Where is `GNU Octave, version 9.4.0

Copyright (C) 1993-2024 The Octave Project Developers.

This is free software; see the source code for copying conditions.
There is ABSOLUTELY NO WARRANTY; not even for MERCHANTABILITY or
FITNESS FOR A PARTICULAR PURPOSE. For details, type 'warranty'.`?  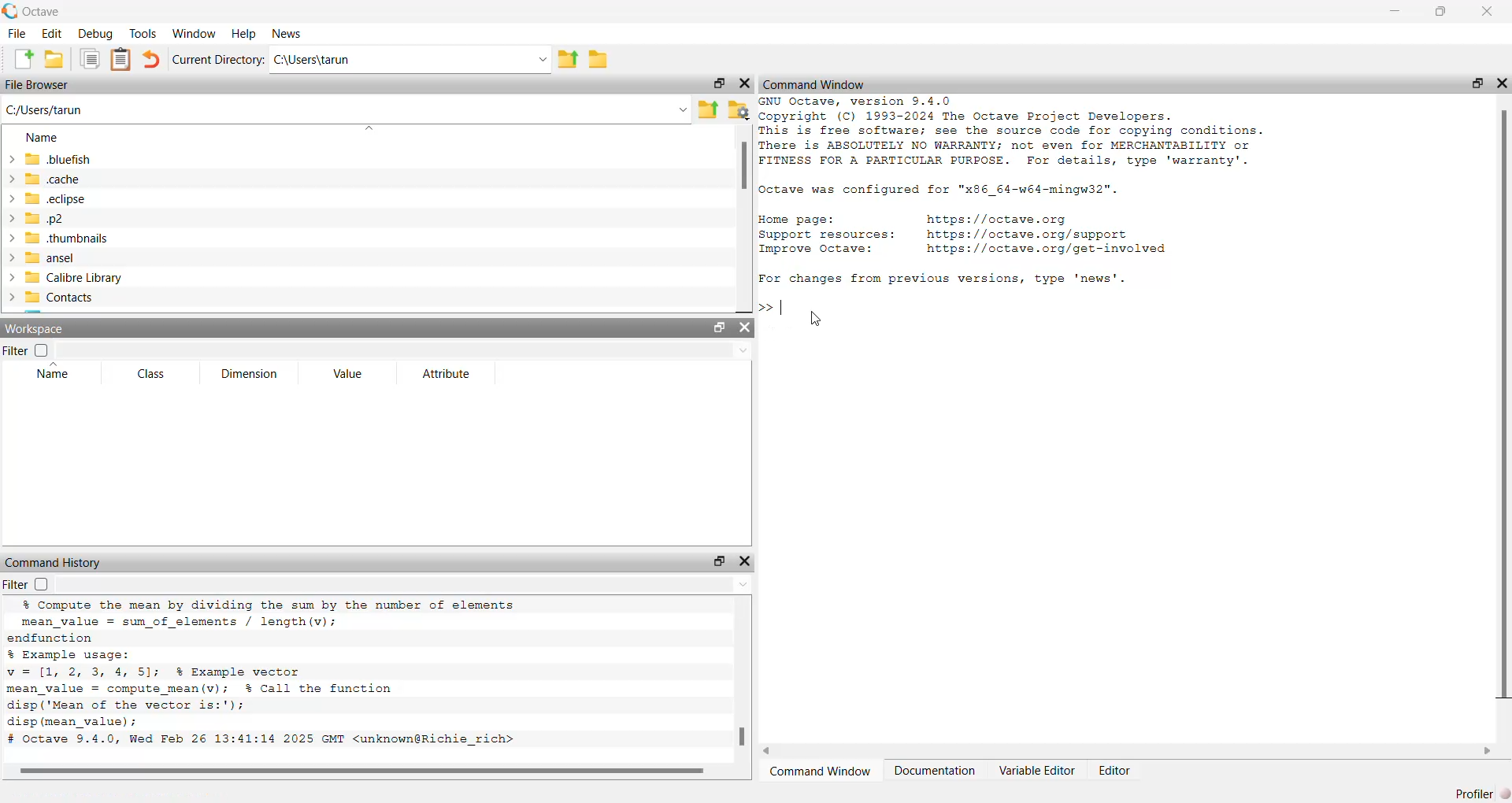 GNU Octave, version 9.4.0

Copyright (C) 1993-2024 The Octave Project Developers.

This is free software; see the source code for copying conditions.
There is ABSOLUTELY NO WARRANTY; not even for MERCHANTABILITY or
FITNESS FOR A PARTICULAR PURPOSE. For details, type 'warranty'. is located at coordinates (1013, 132).